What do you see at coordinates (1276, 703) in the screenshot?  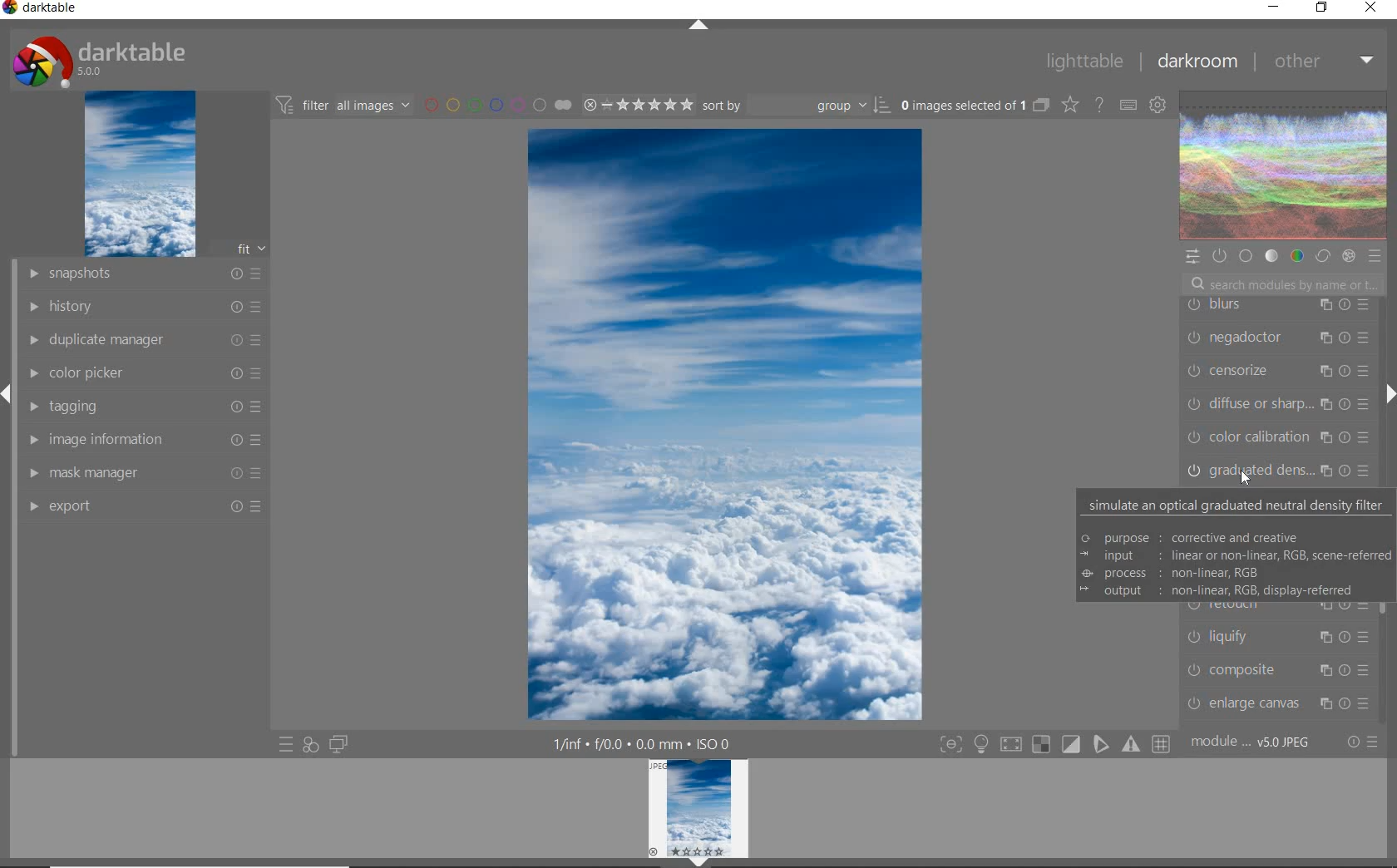 I see `enlarge canvas` at bounding box center [1276, 703].